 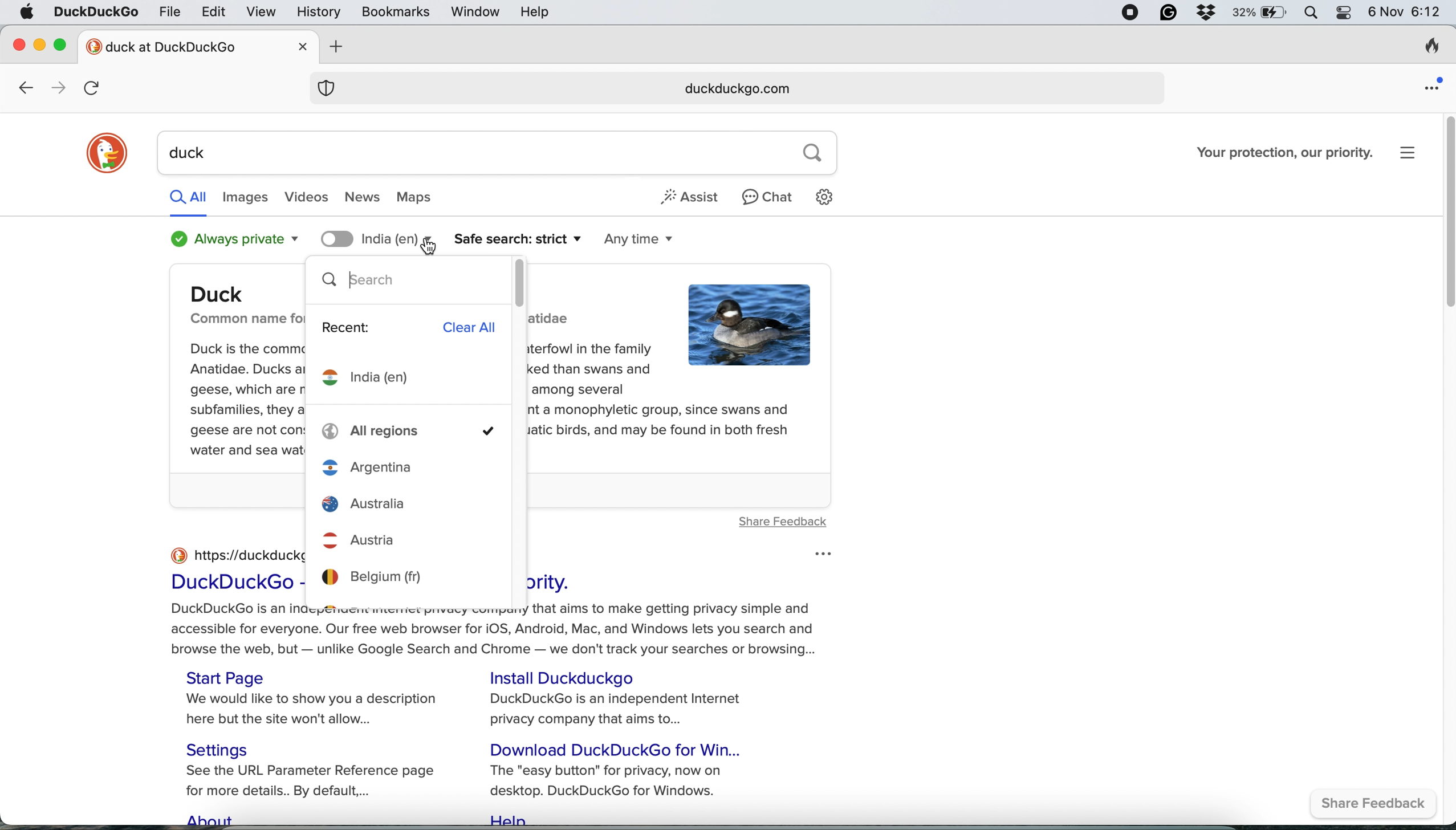 What do you see at coordinates (264, 14) in the screenshot?
I see `view` at bounding box center [264, 14].